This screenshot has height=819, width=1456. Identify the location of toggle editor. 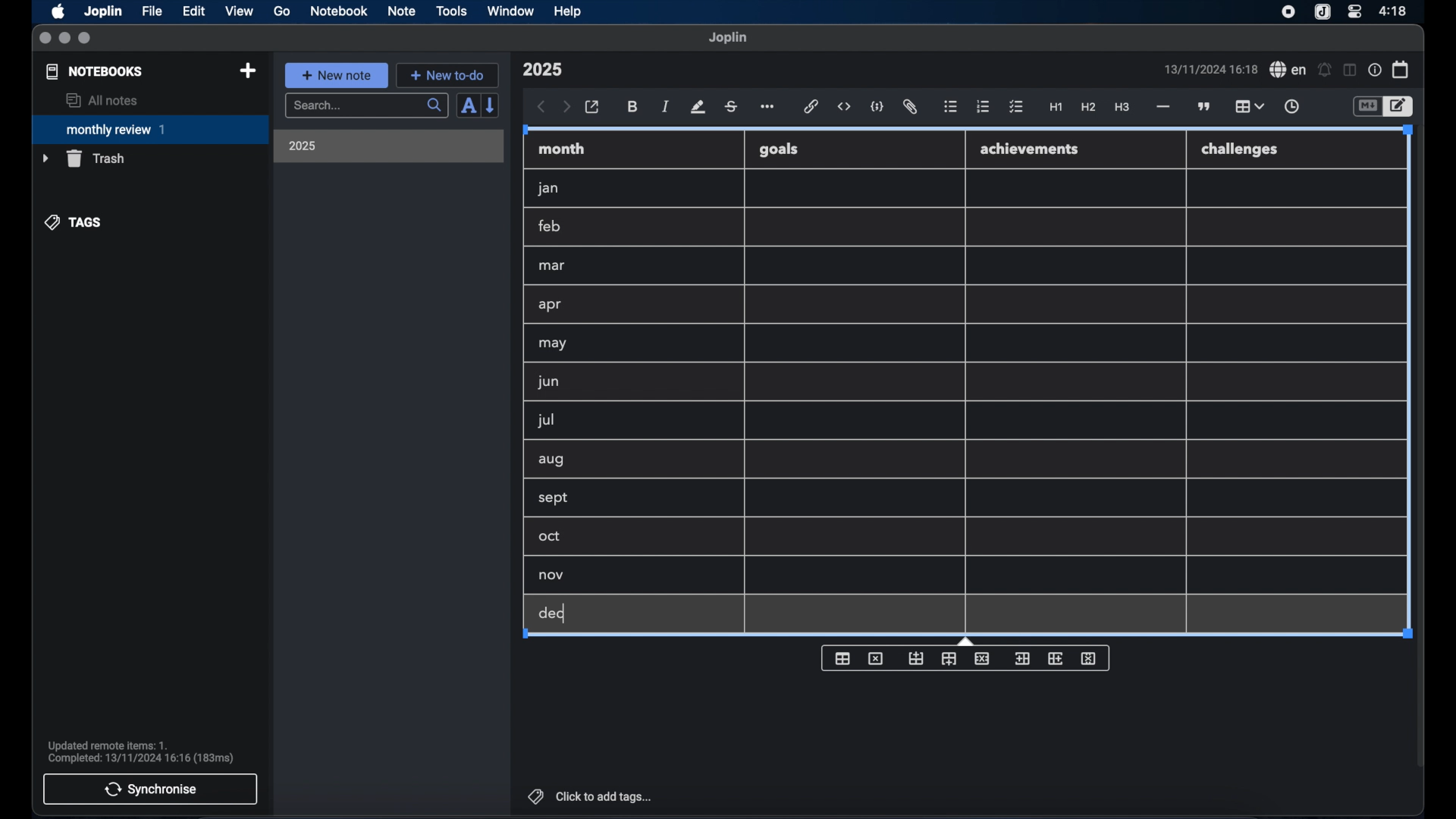
(1401, 107).